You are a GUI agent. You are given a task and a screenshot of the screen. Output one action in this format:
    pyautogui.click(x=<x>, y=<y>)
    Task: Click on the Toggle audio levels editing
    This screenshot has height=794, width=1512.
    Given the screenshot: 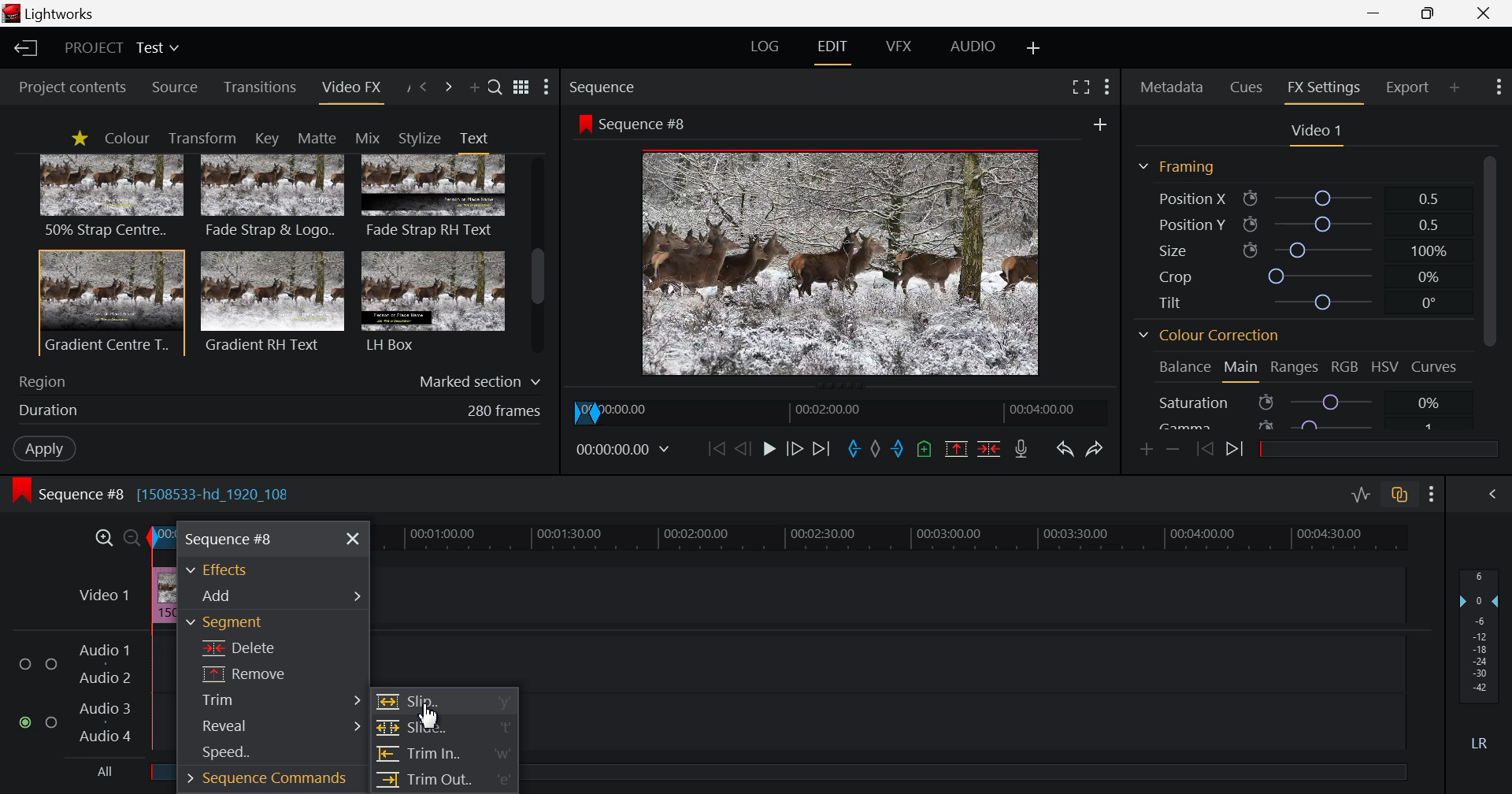 What is the action you would take?
    pyautogui.click(x=1364, y=495)
    